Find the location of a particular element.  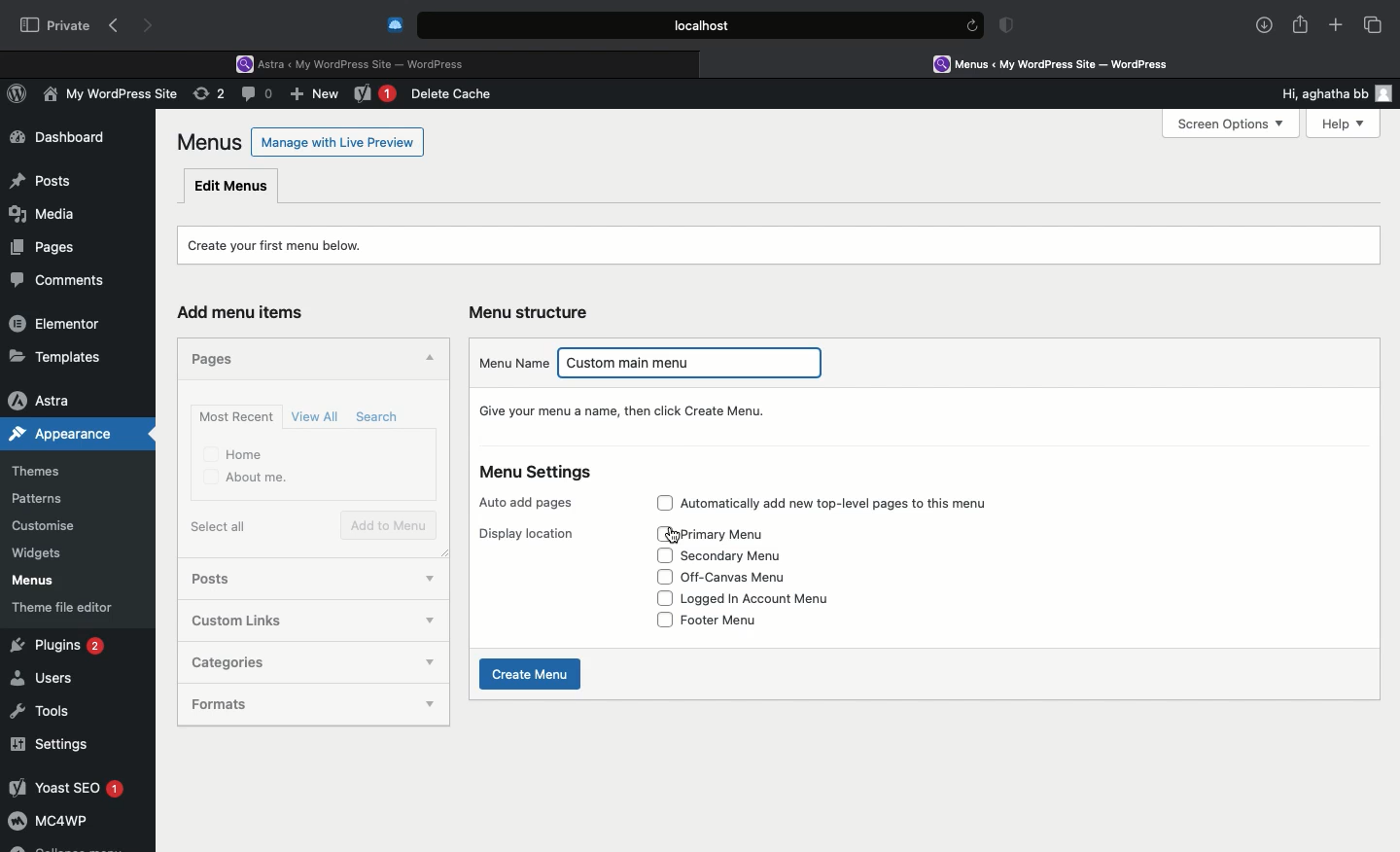

Custom links is located at coordinates (284, 620).